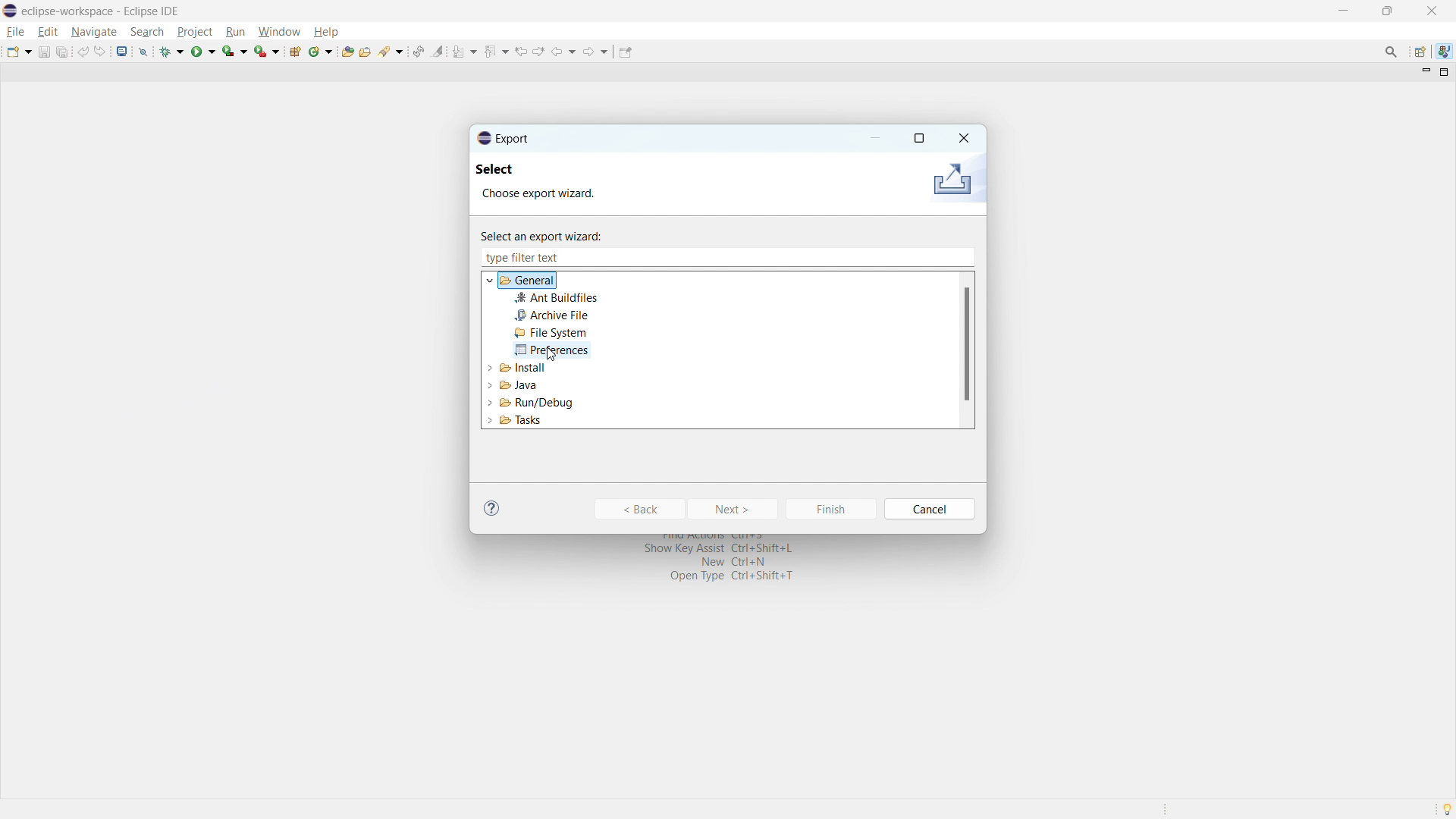 The height and width of the screenshot is (819, 1456). I want to click on export dialogbox, so click(504, 138).